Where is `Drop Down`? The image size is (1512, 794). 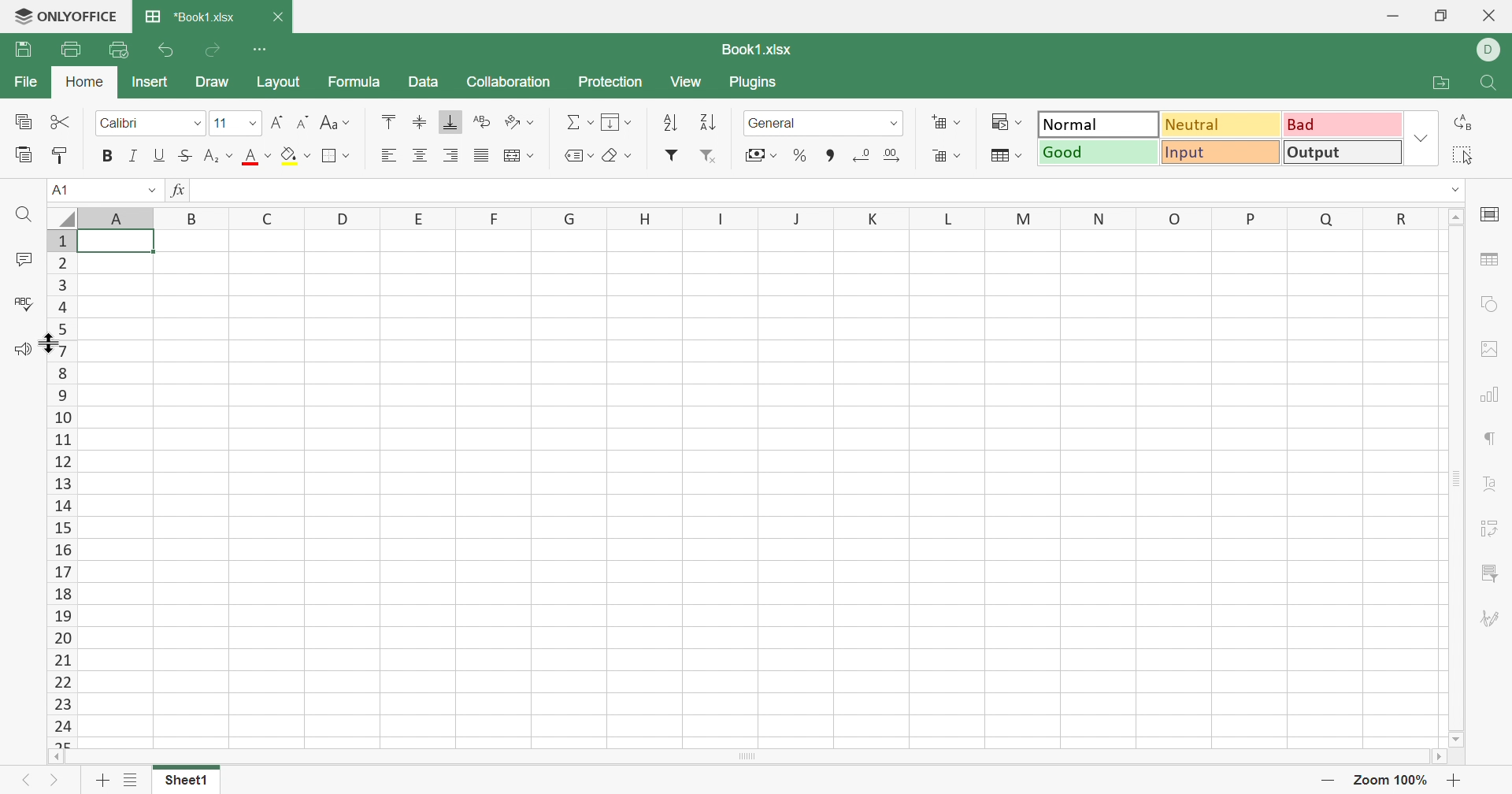 Drop Down is located at coordinates (252, 125).